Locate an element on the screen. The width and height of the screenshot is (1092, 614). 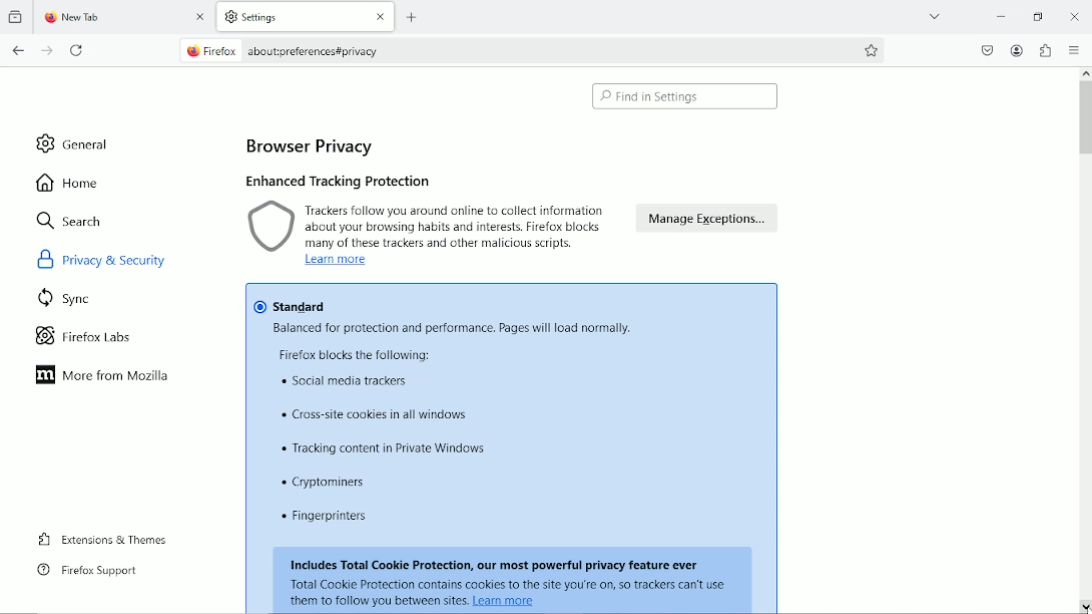
Total Cookie Protection contains cookies to the site you're on, so trackers can't use. is located at coordinates (511, 585).